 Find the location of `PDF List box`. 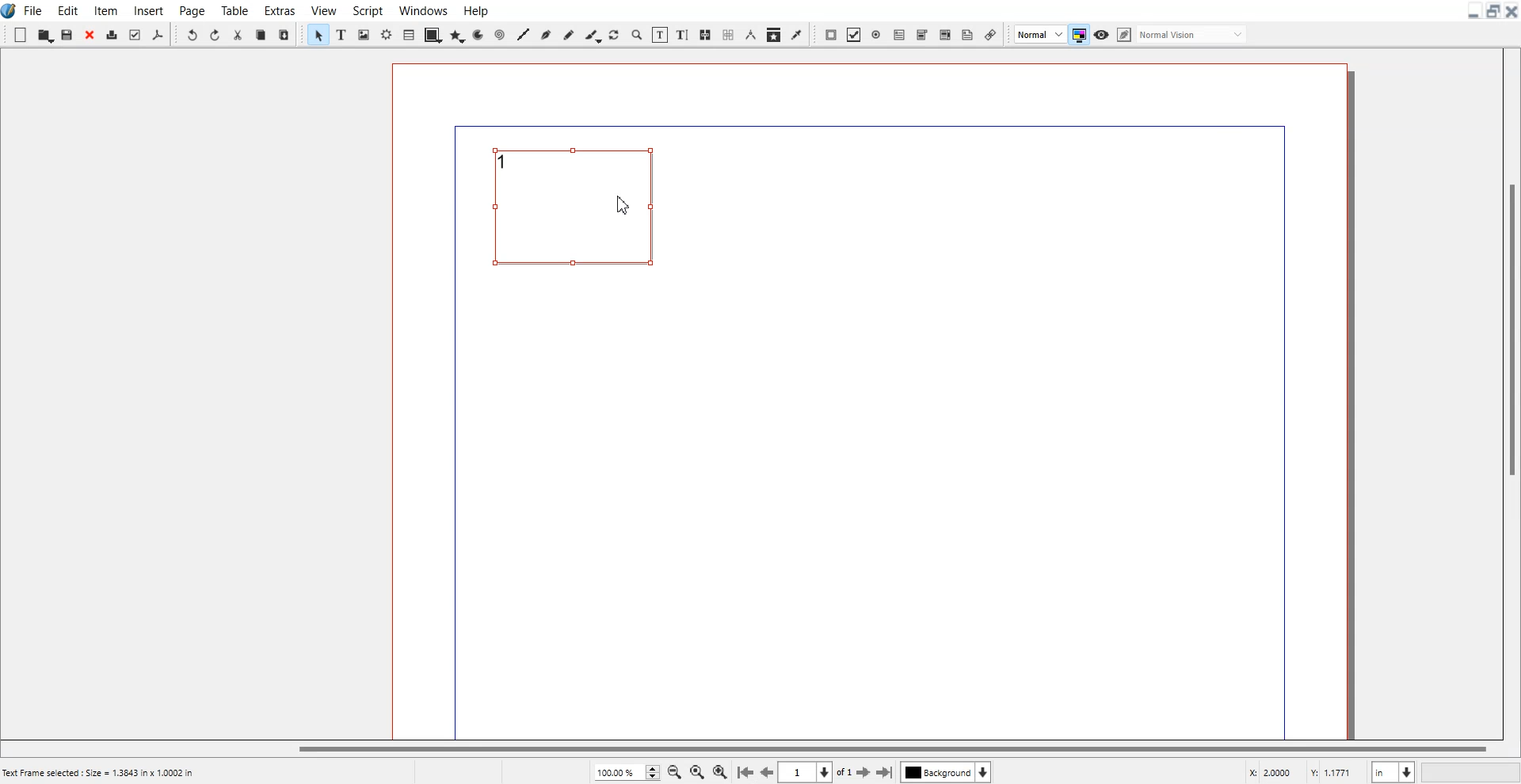

PDF List box is located at coordinates (945, 34).